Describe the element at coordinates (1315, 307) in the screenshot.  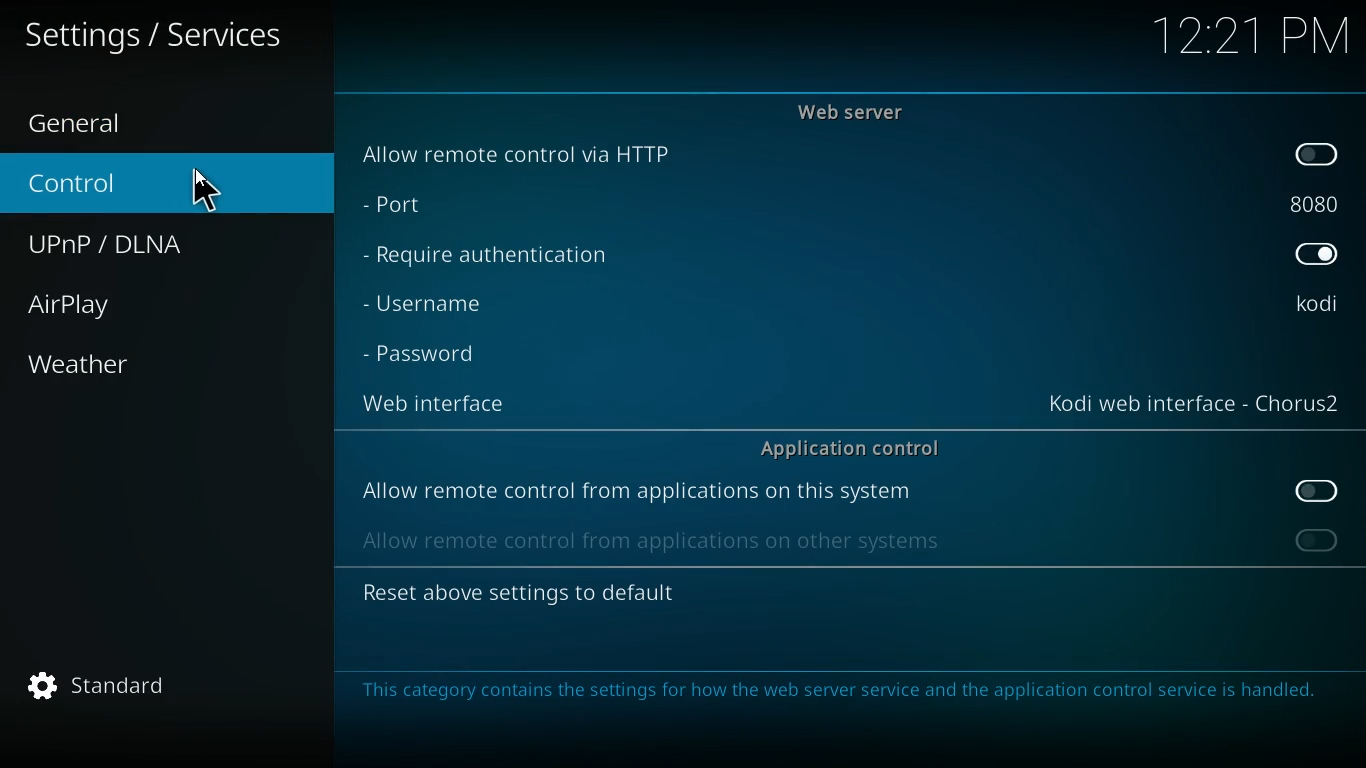
I see `username` at that location.